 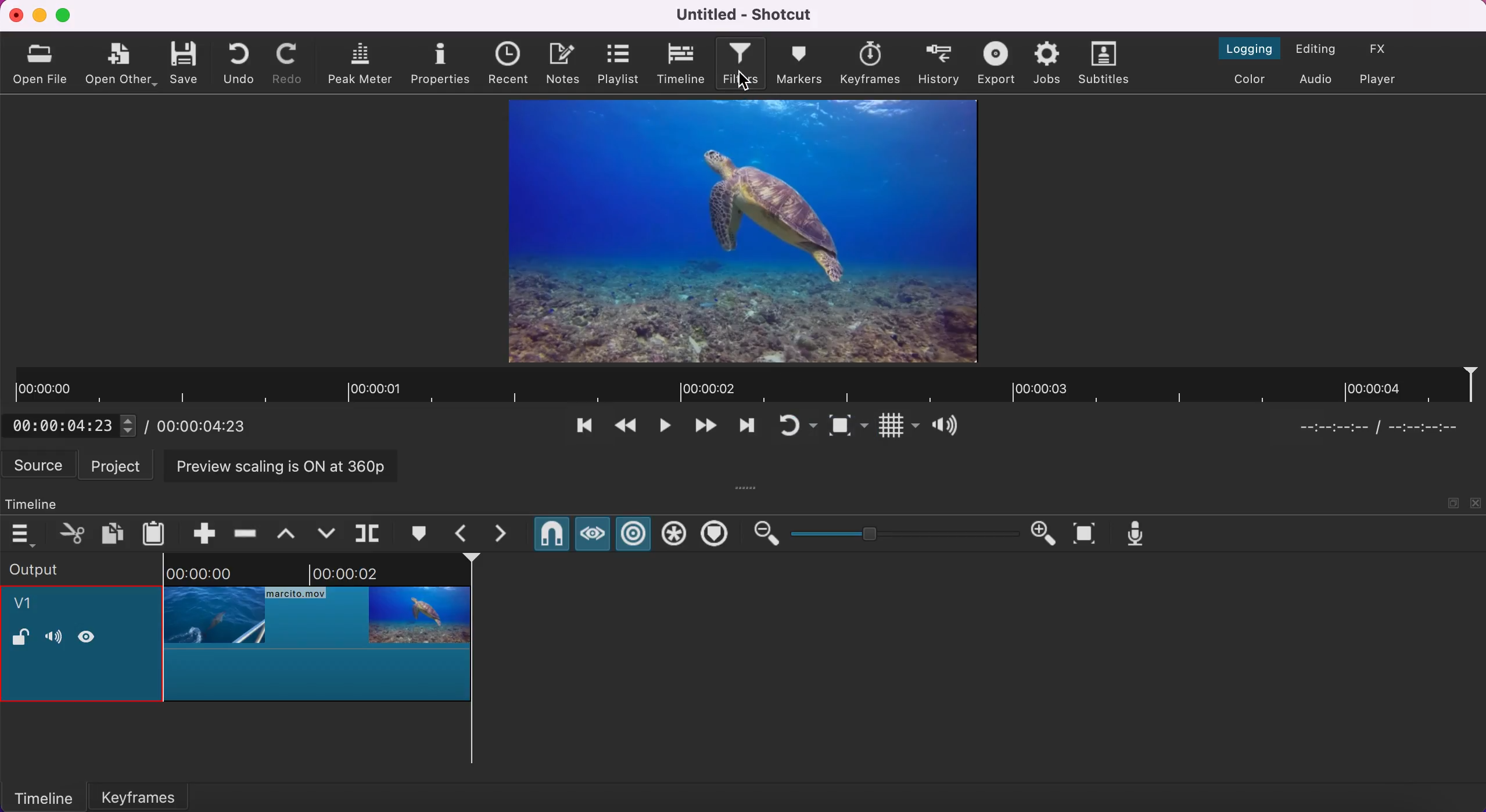 What do you see at coordinates (20, 639) in the screenshot?
I see `lock` at bounding box center [20, 639].